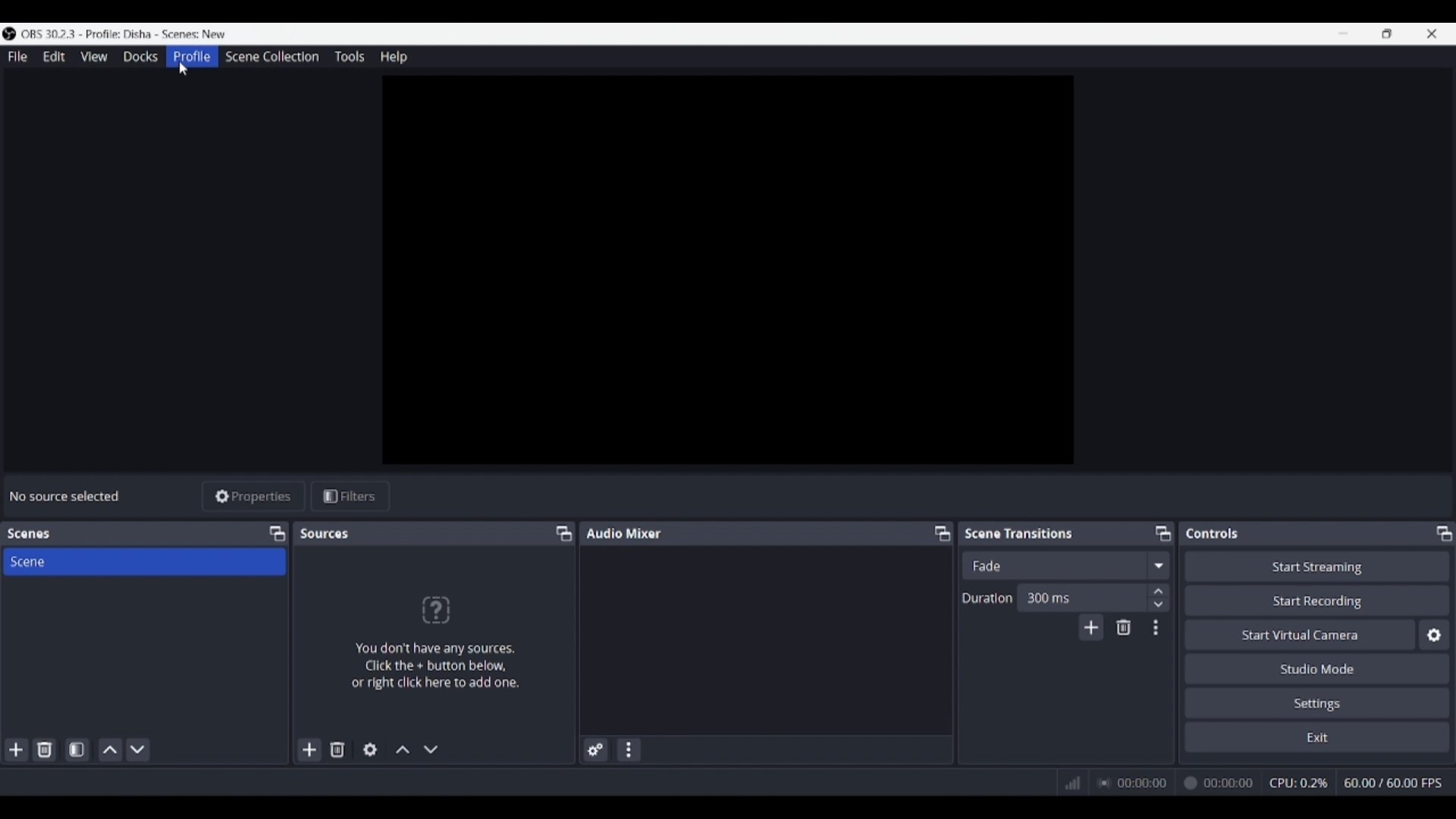 The width and height of the screenshot is (1456, 819). Describe the element at coordinates (770, 532) in the screenshot. I see `Audio Mixer` at that location.